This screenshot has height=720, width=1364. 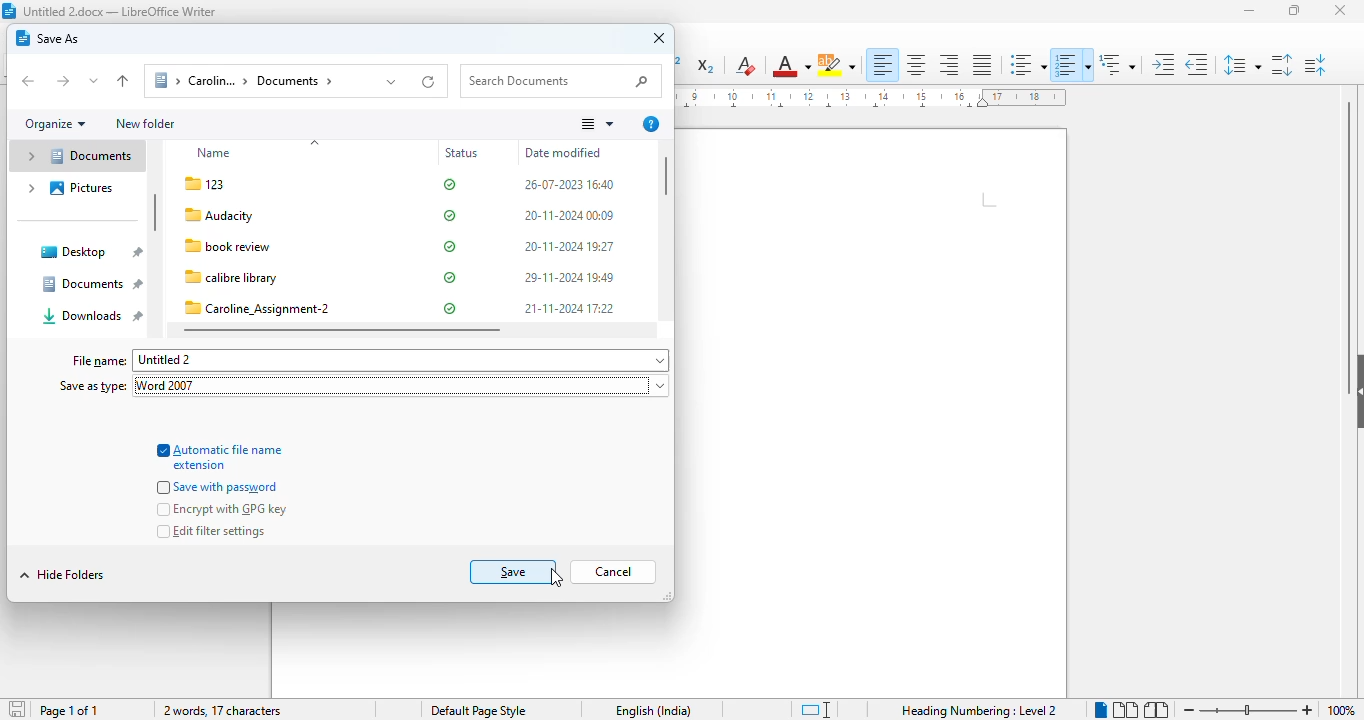 I want to click on encrypt with GPG key, so click(x=223, y=510).